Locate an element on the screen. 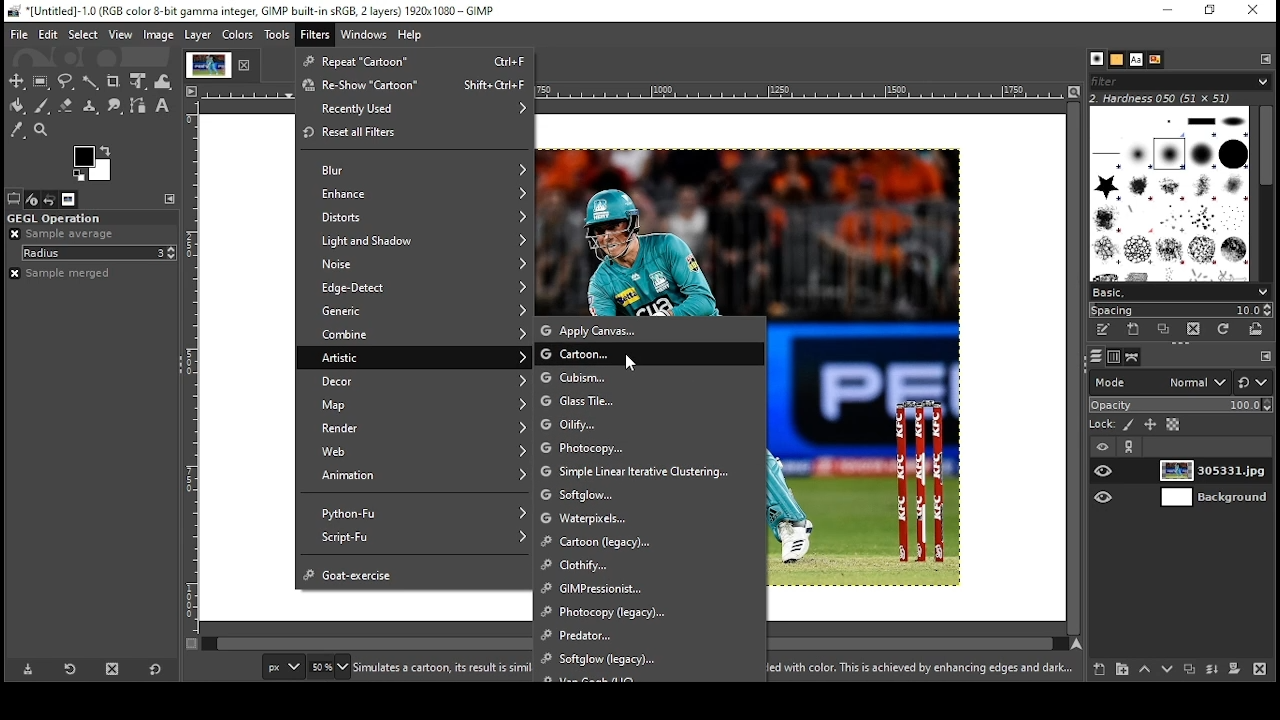  cartoon is located at coordinates (650, 354).